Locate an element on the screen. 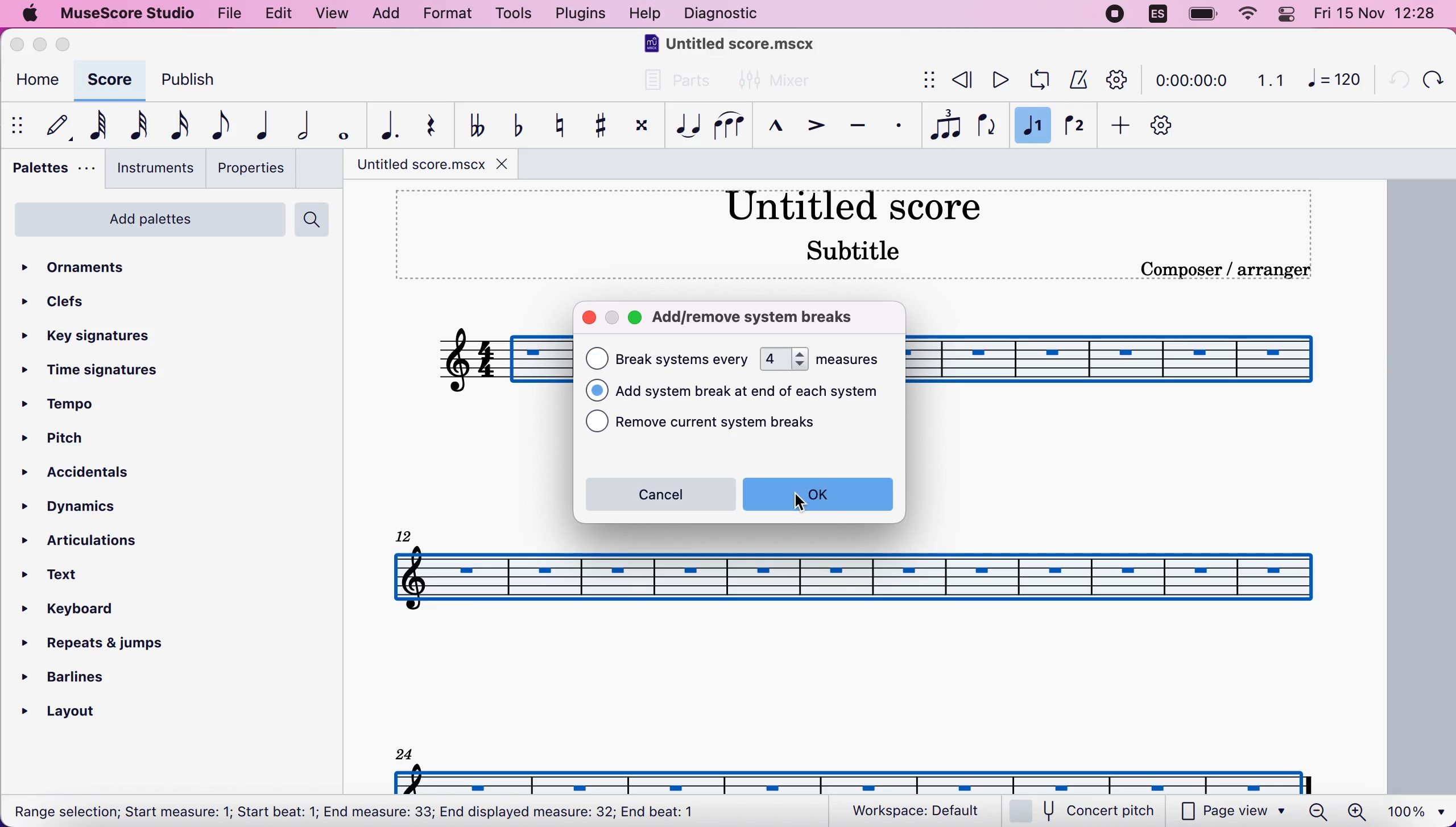  pitch is located at coordinates (71, 440).